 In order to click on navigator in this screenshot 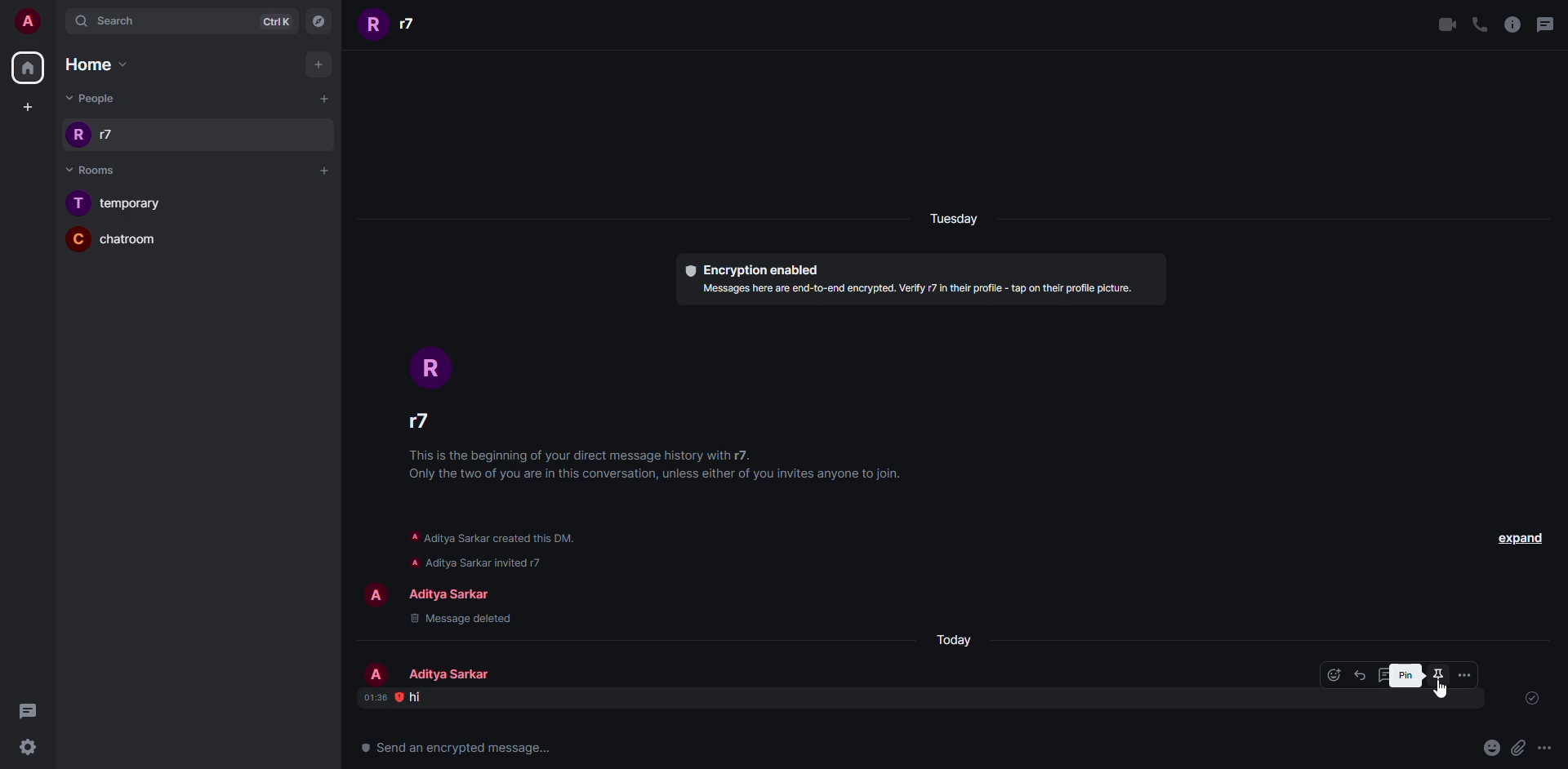, I will do `click(318, 20)`.